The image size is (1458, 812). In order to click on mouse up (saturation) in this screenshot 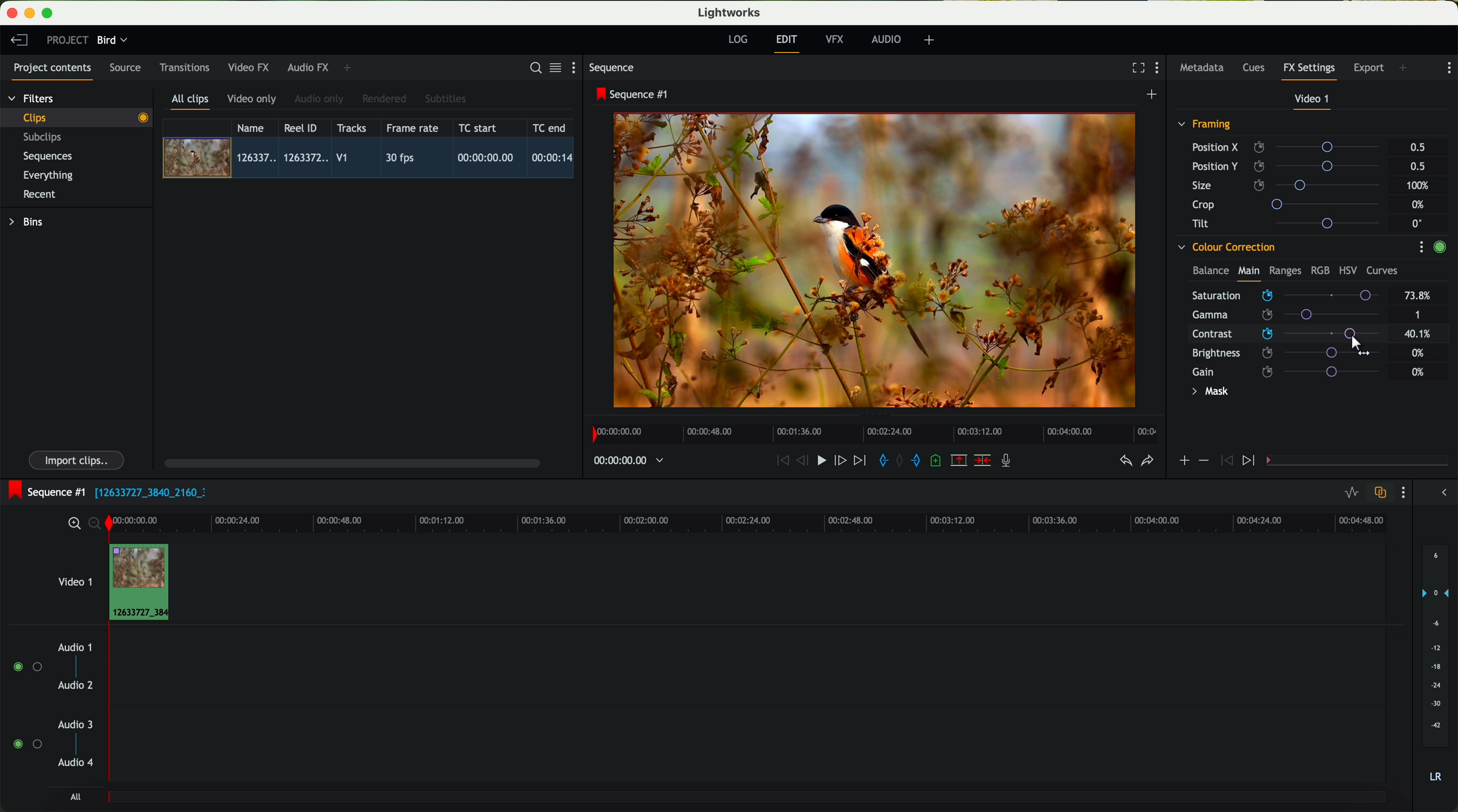, I will do `click(1287, 295)`.